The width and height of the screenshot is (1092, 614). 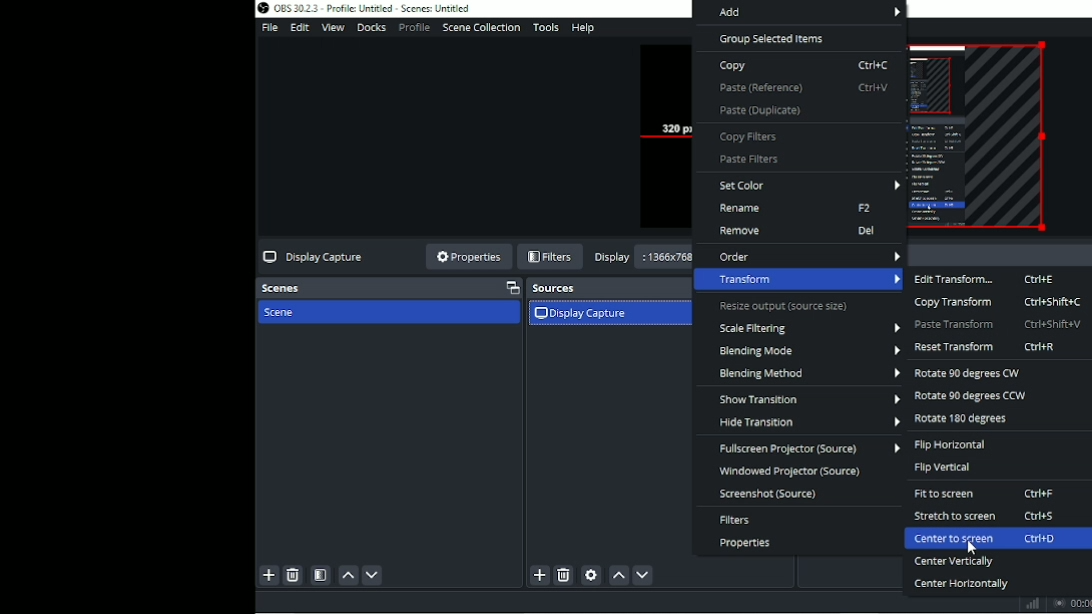 I want to click on Scale filtering, so click(x=806, y=328).